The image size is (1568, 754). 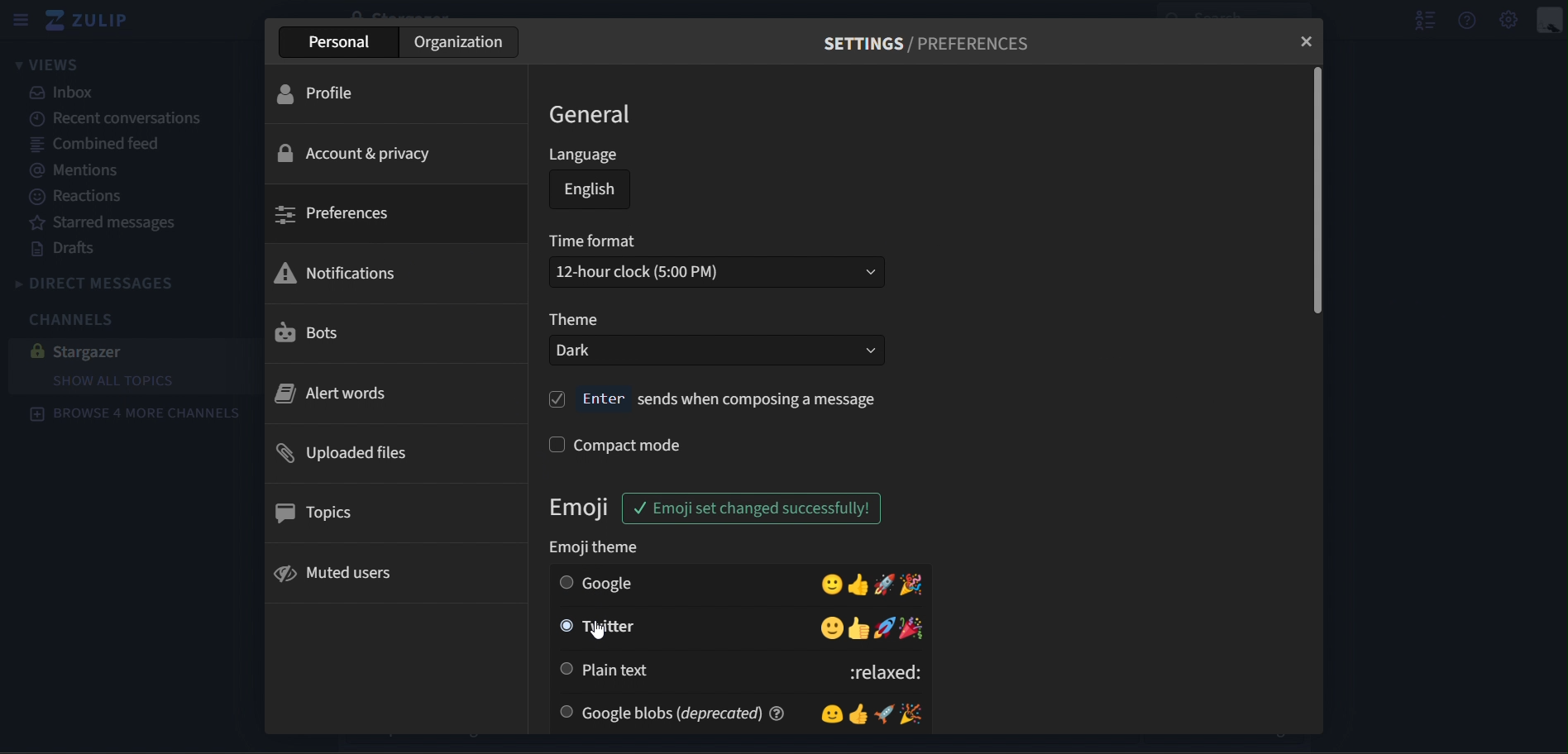 What do you see at coordinates (1510, 20) in the screenshot?
I see `main menu` at bounding box center [1510, 20].